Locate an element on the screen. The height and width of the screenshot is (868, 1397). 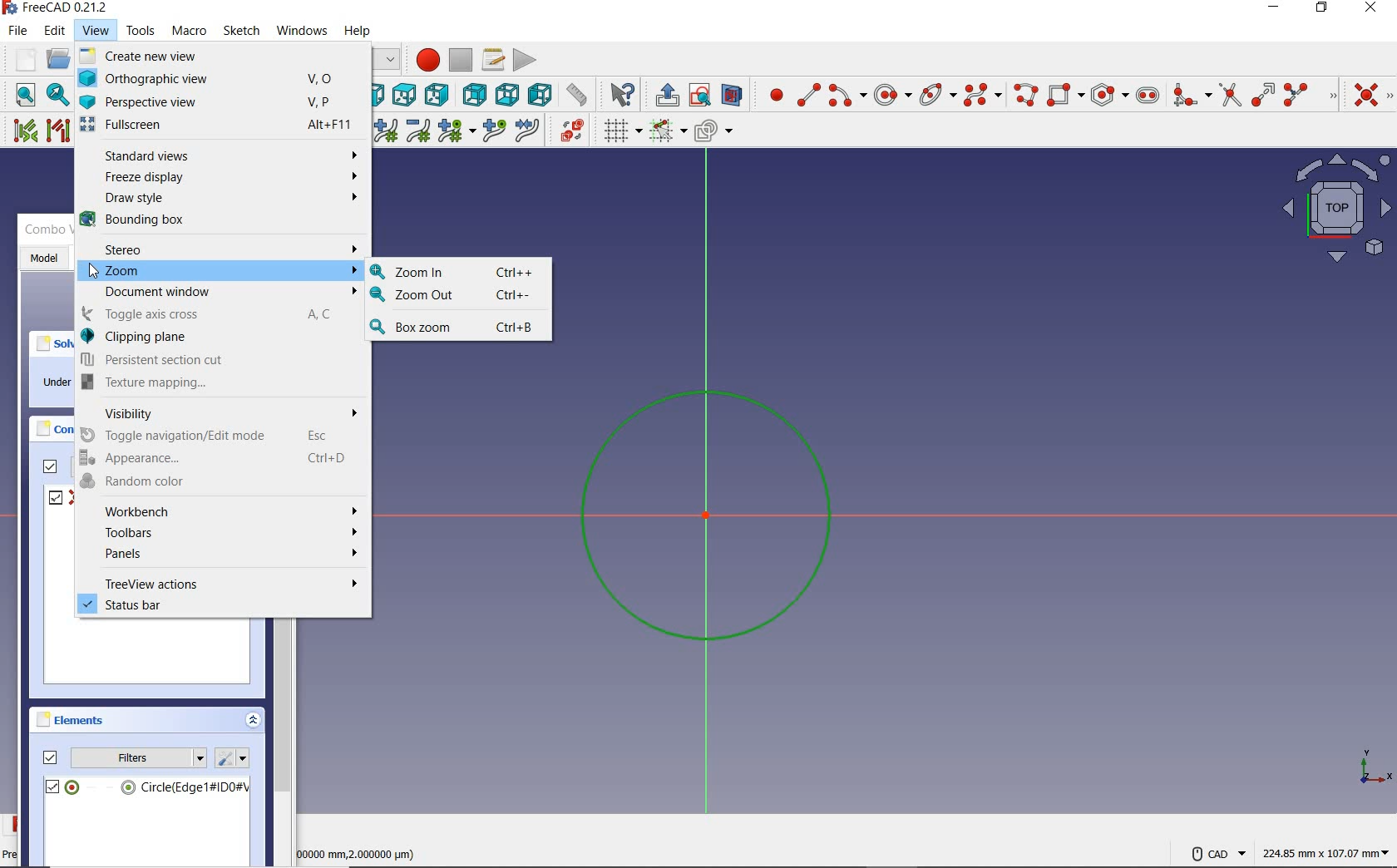
top is located at coordinates (404, 93).